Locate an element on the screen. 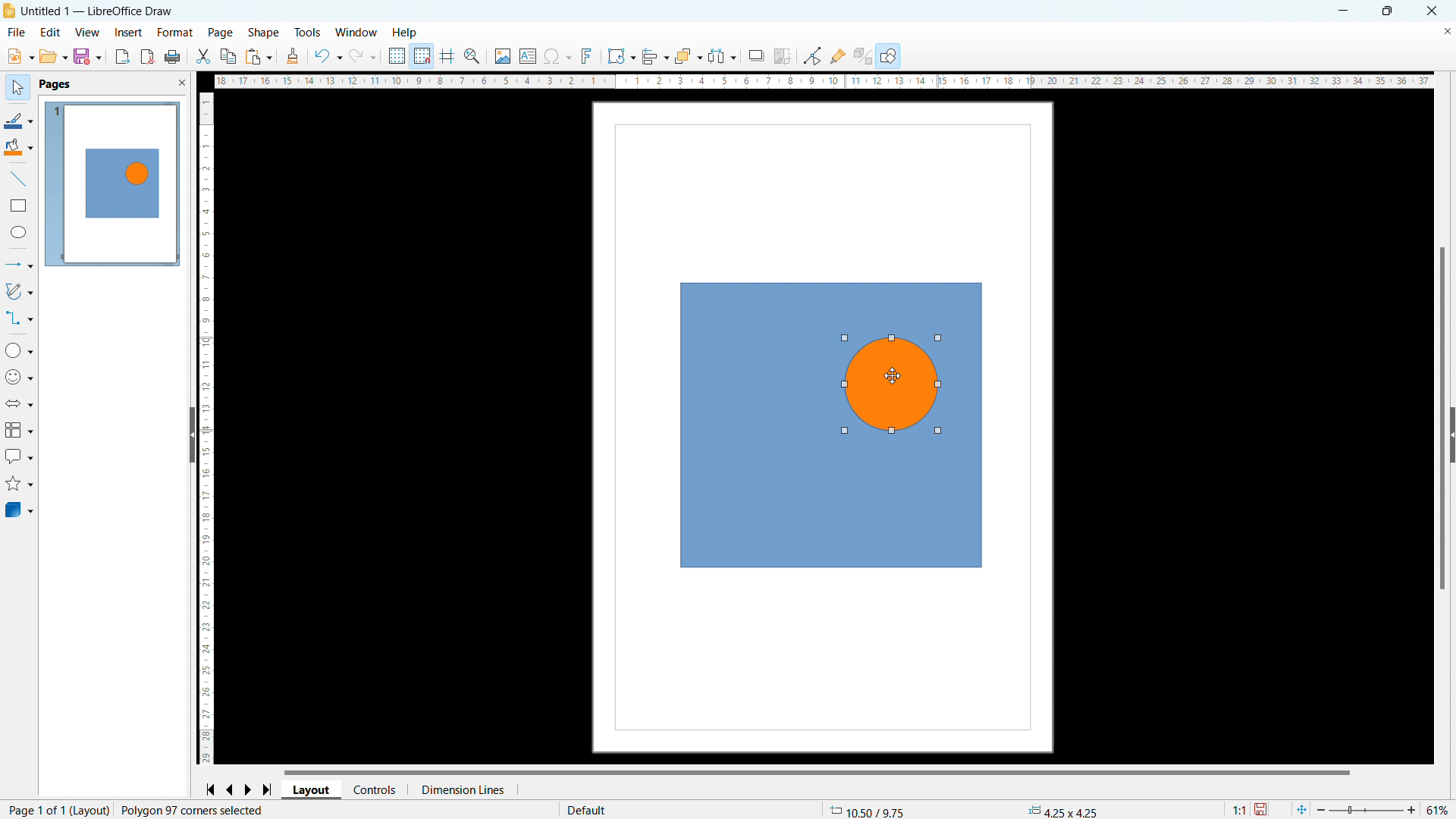 The height and width of the screenshot is (819, 1456). edit is located at coordinates (49, 32).